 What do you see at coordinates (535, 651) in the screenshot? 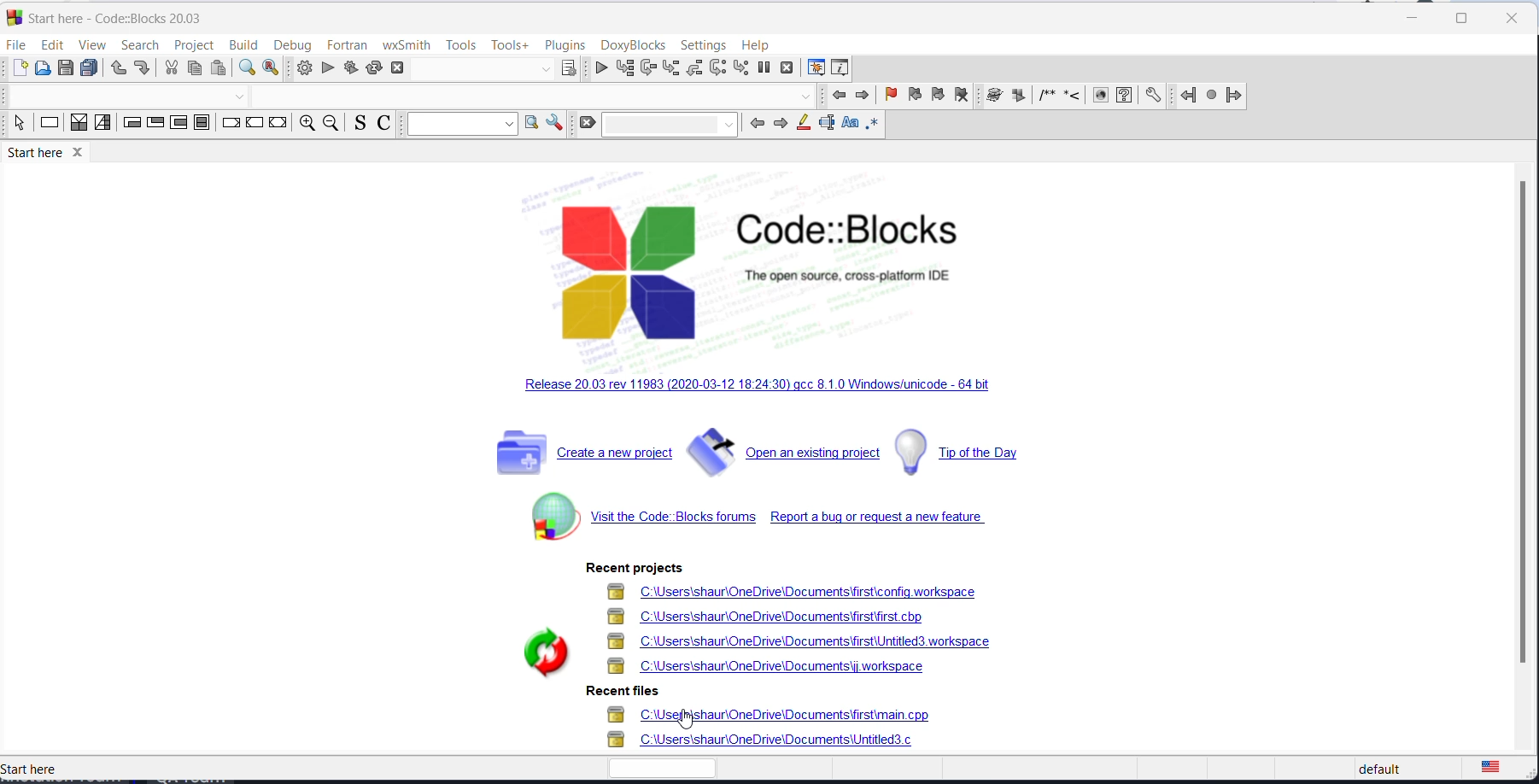
I see `refresh logo` at bounding box center [535, 651].